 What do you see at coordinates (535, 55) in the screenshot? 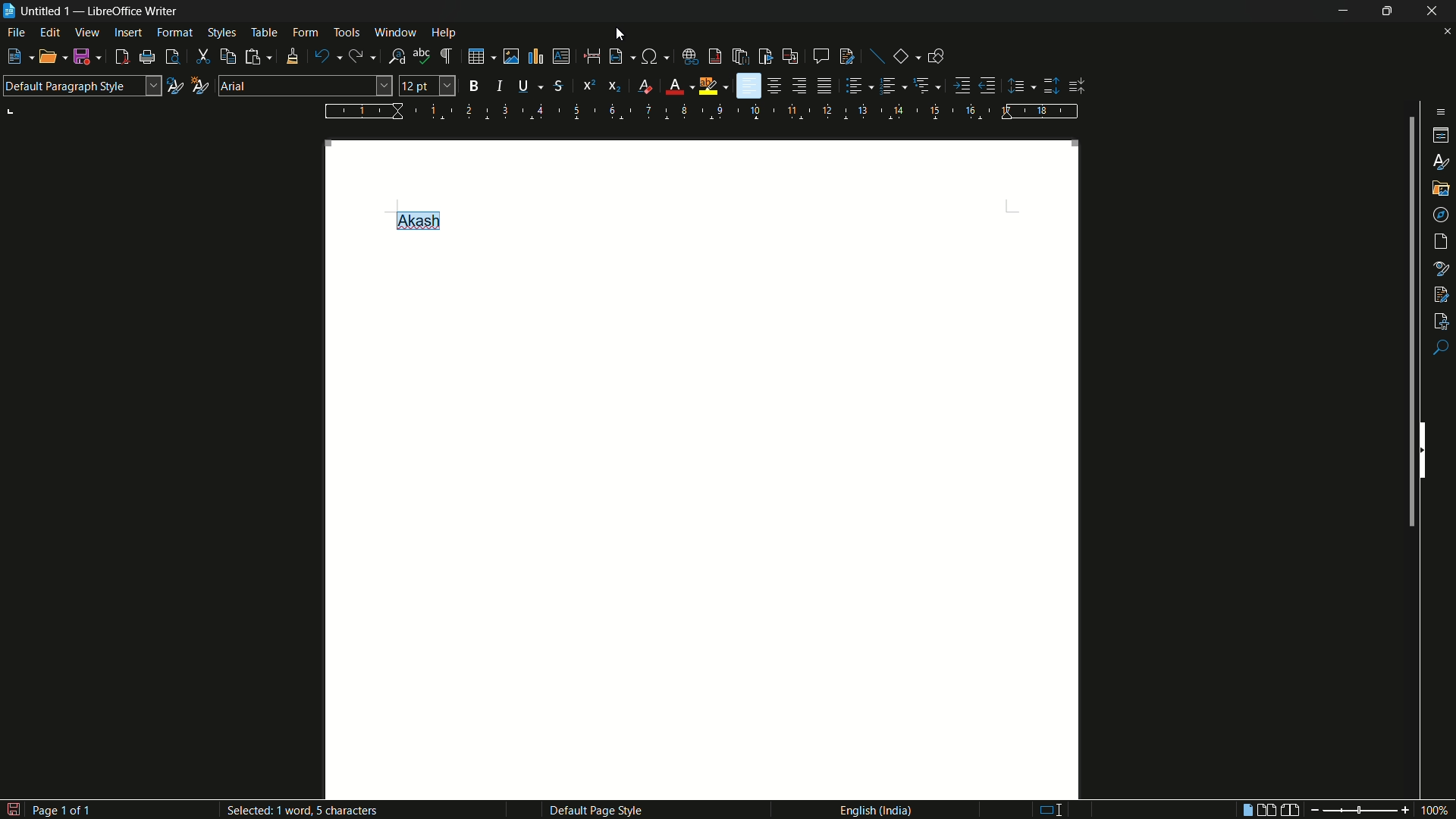
I see `insert chart` at bounding box center [535, 55].